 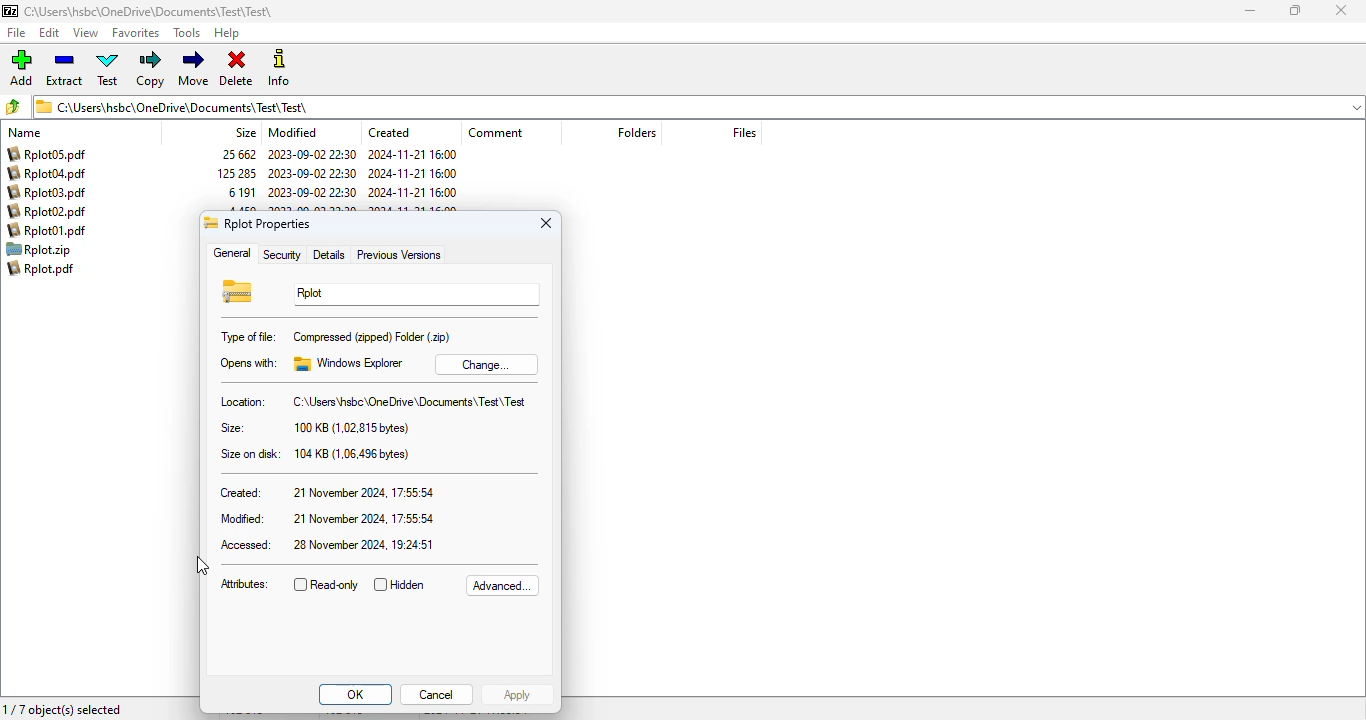 What do you see at coordinates (1294, 10) in the screenshot?
I see `maximize` at bounding box center [1294, 10].